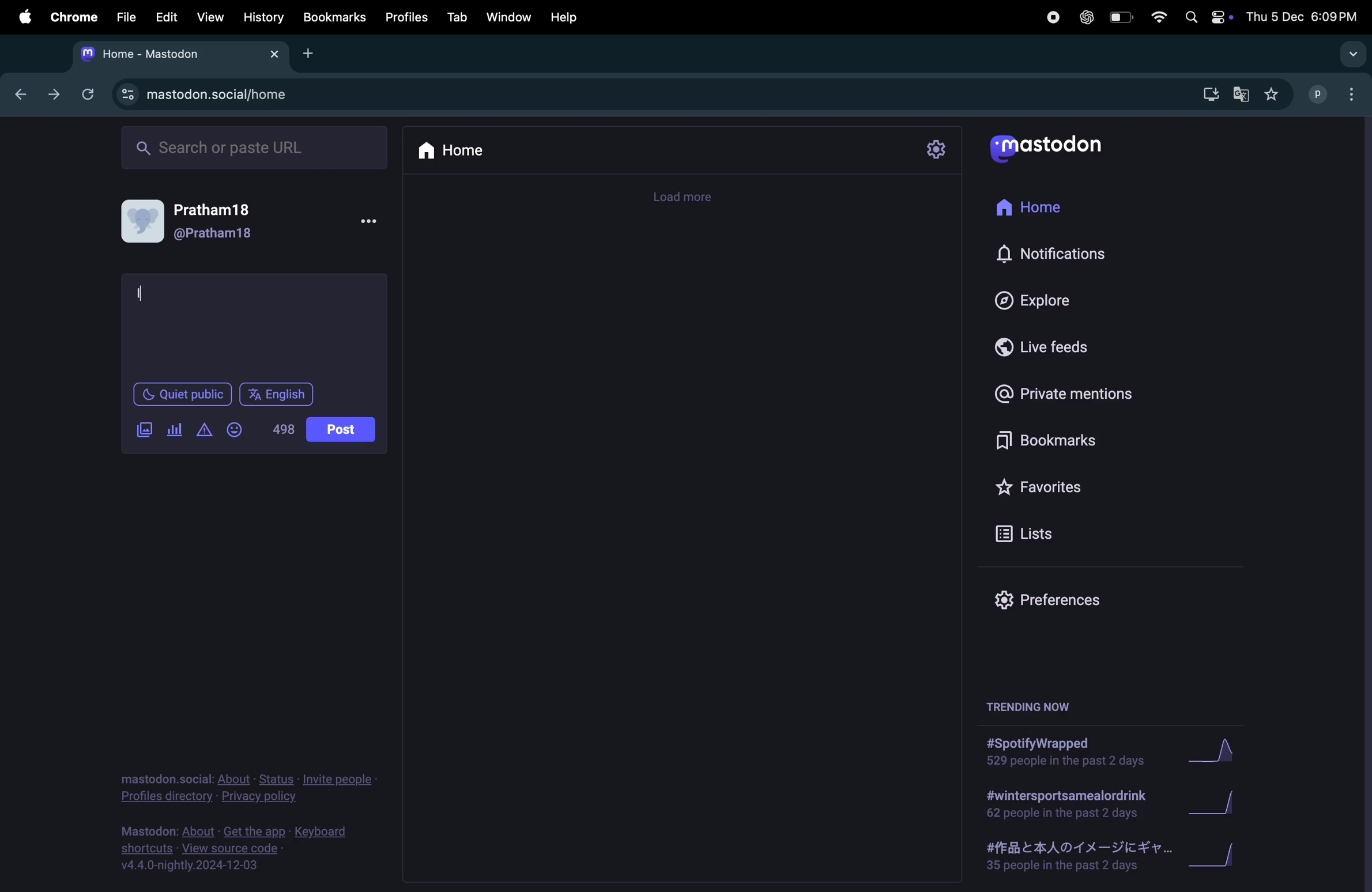 This screenshot has height=892, width=1372. I want to click on date and time, so click(1305, 16).